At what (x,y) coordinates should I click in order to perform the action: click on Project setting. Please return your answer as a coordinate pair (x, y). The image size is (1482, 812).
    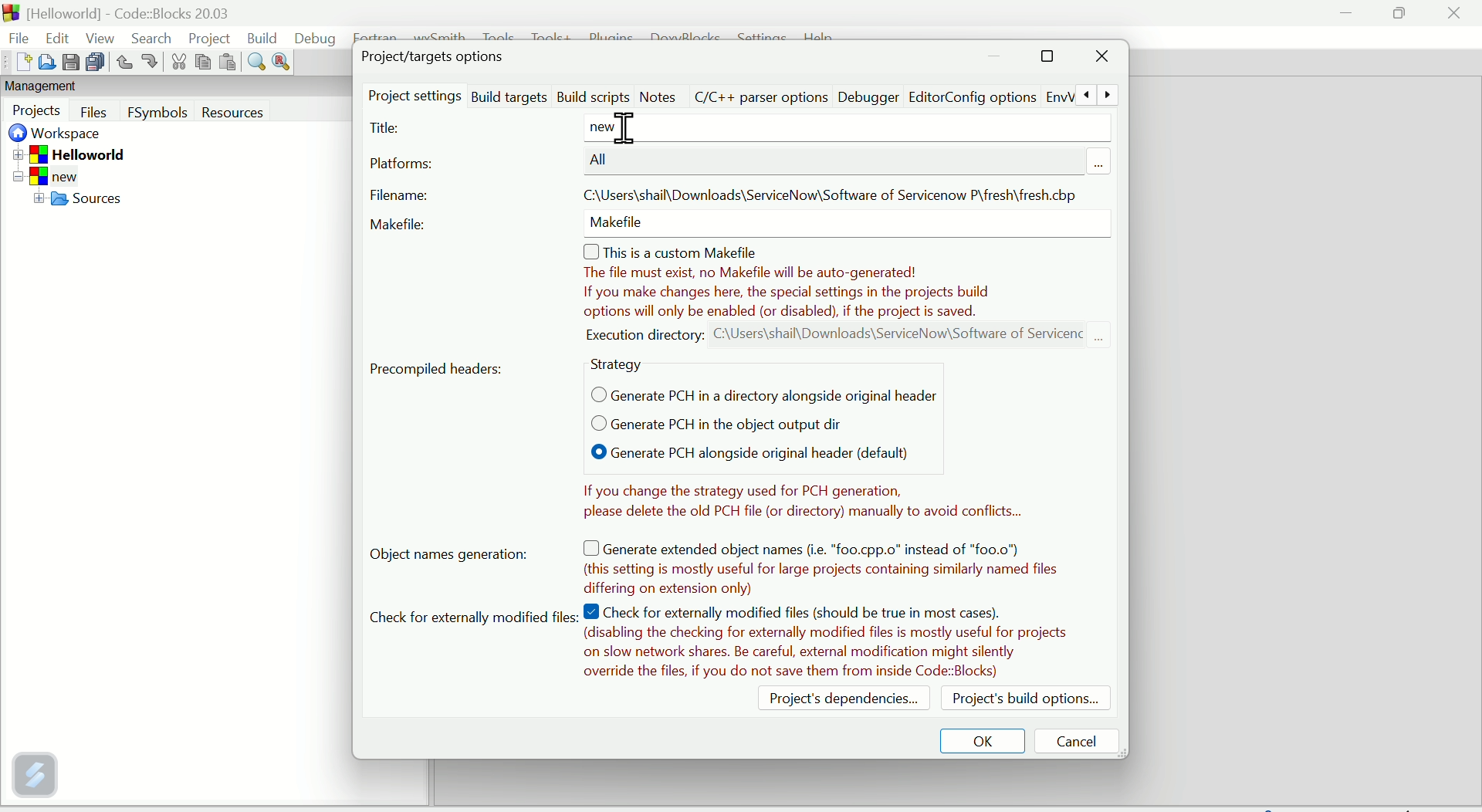
    Looking at the image, I should click on (414, 96).